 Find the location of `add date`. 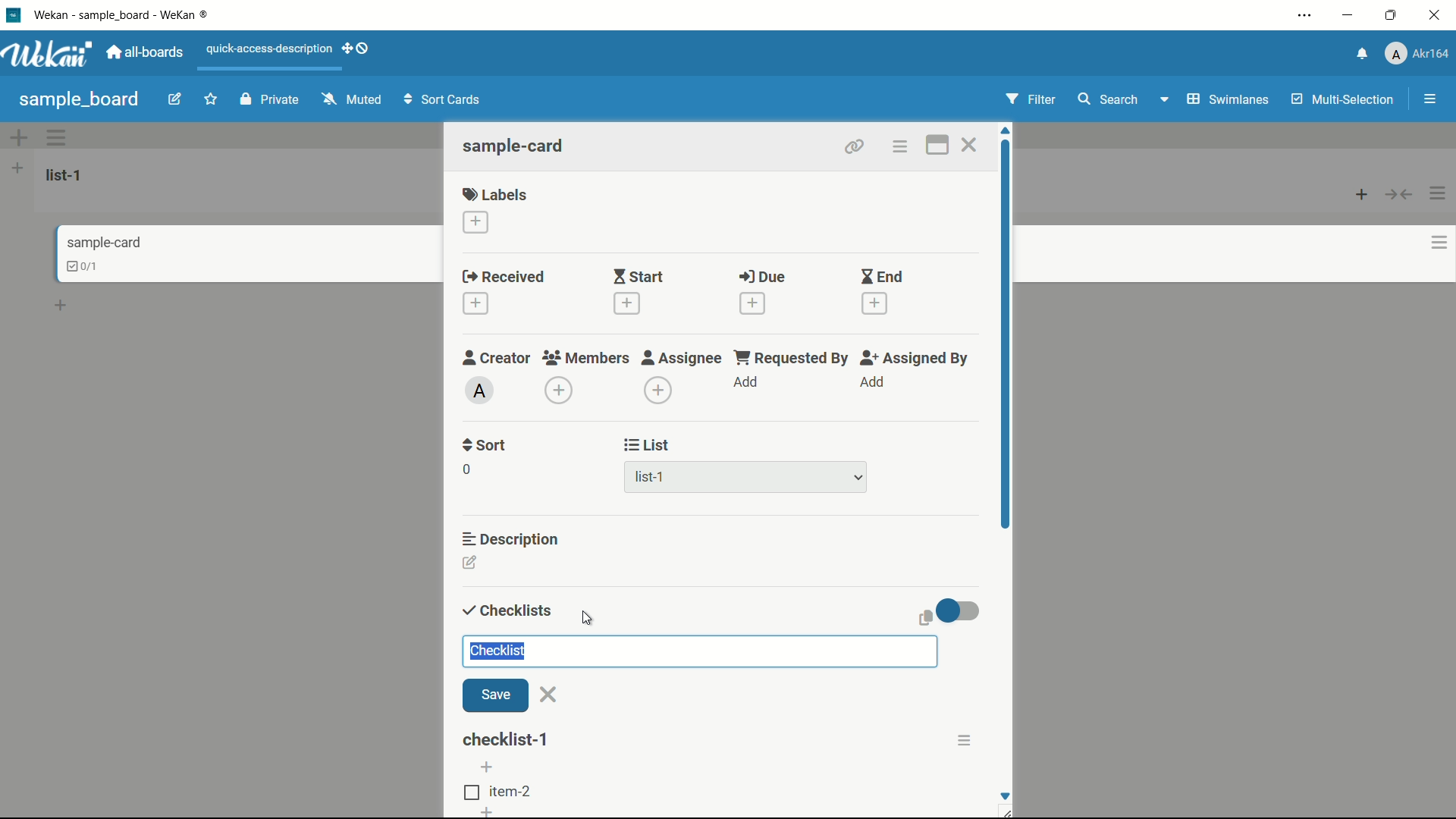

add date is located at coordinates (475, 304).